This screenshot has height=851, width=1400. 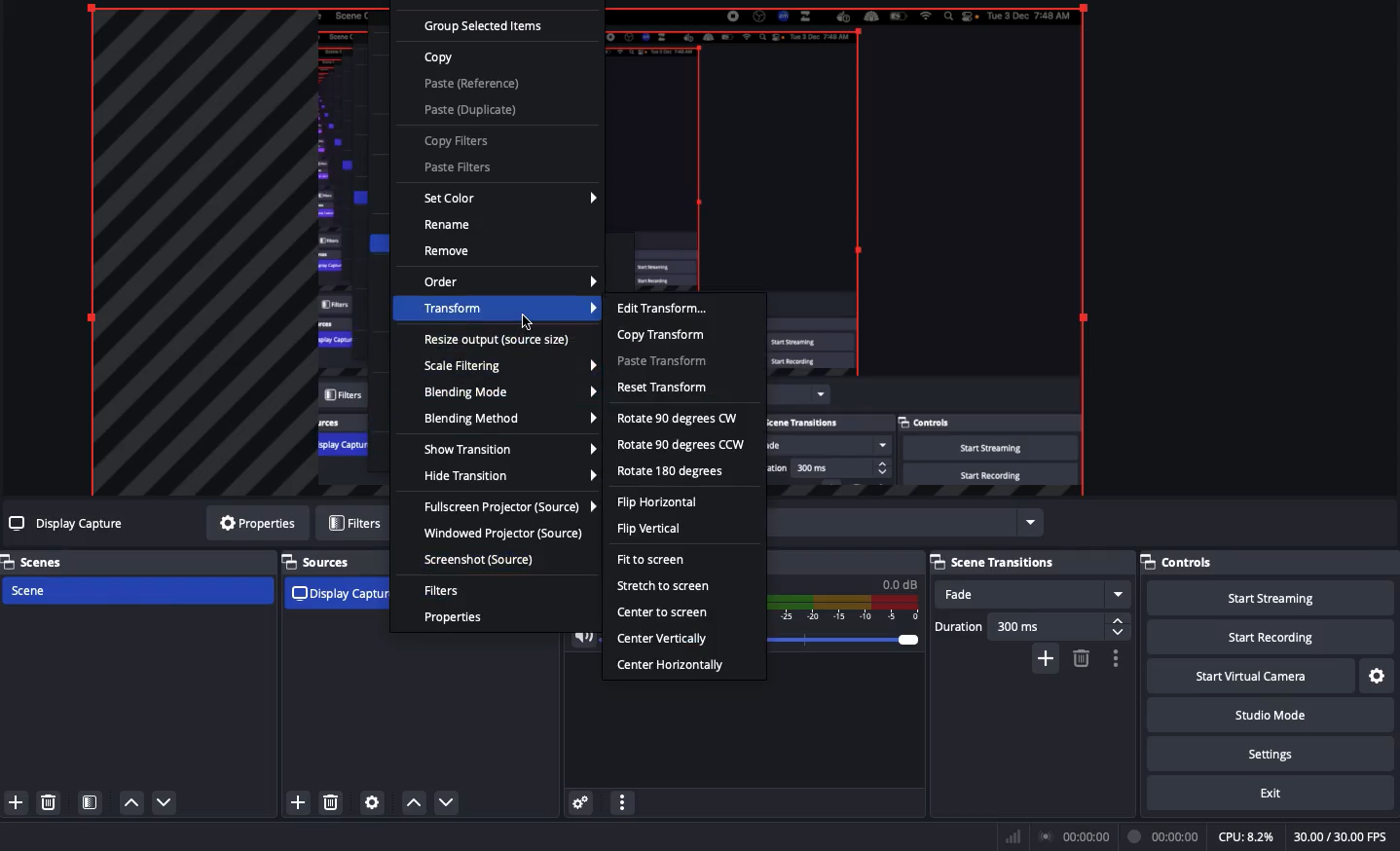 I want to click on Copy, so click(x=439, y=57).